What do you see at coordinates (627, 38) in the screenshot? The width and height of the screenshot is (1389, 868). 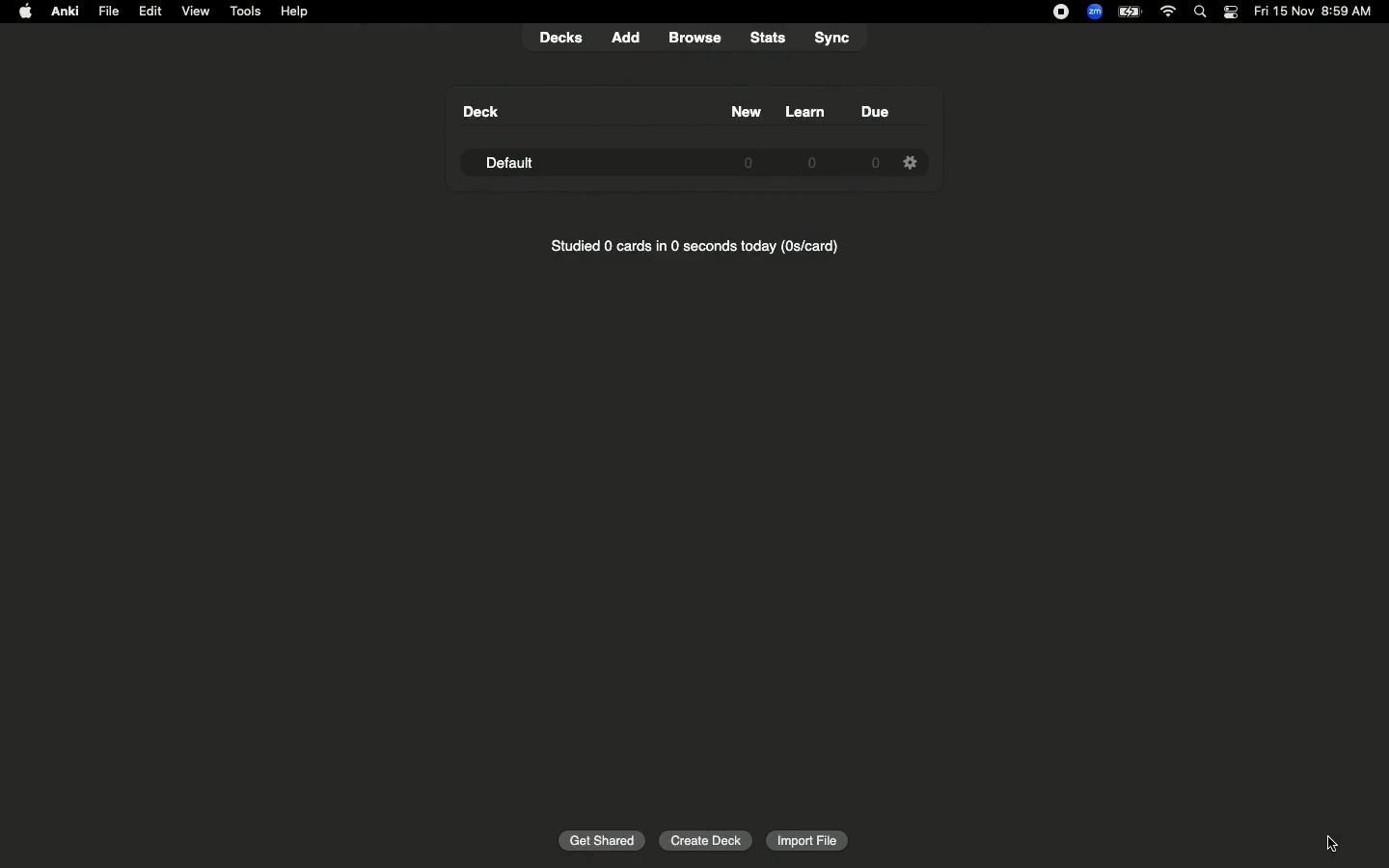 I see `add` at bounding box center [627, 38].